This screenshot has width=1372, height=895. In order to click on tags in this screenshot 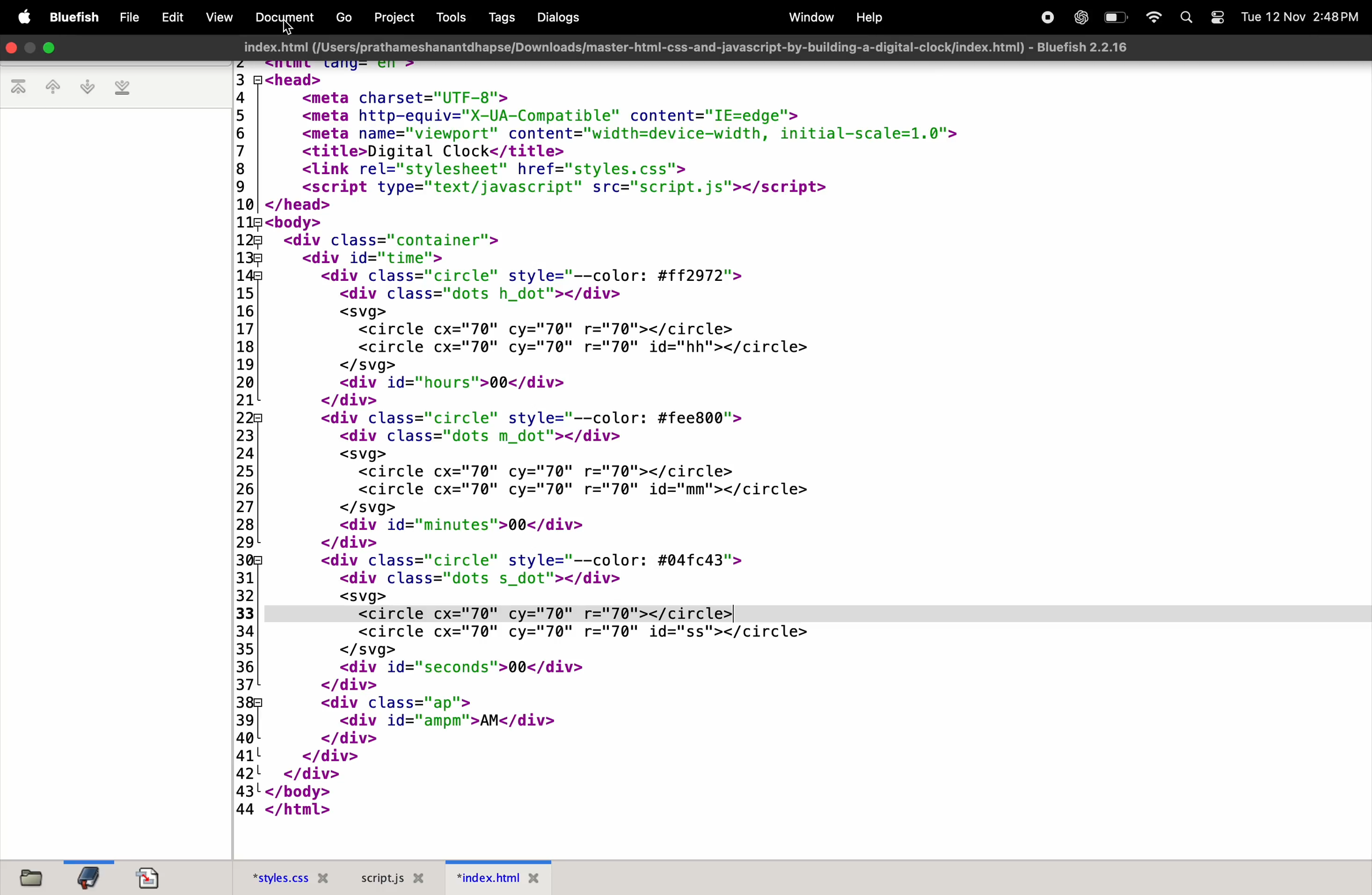, I will do `click(497, 17)`.